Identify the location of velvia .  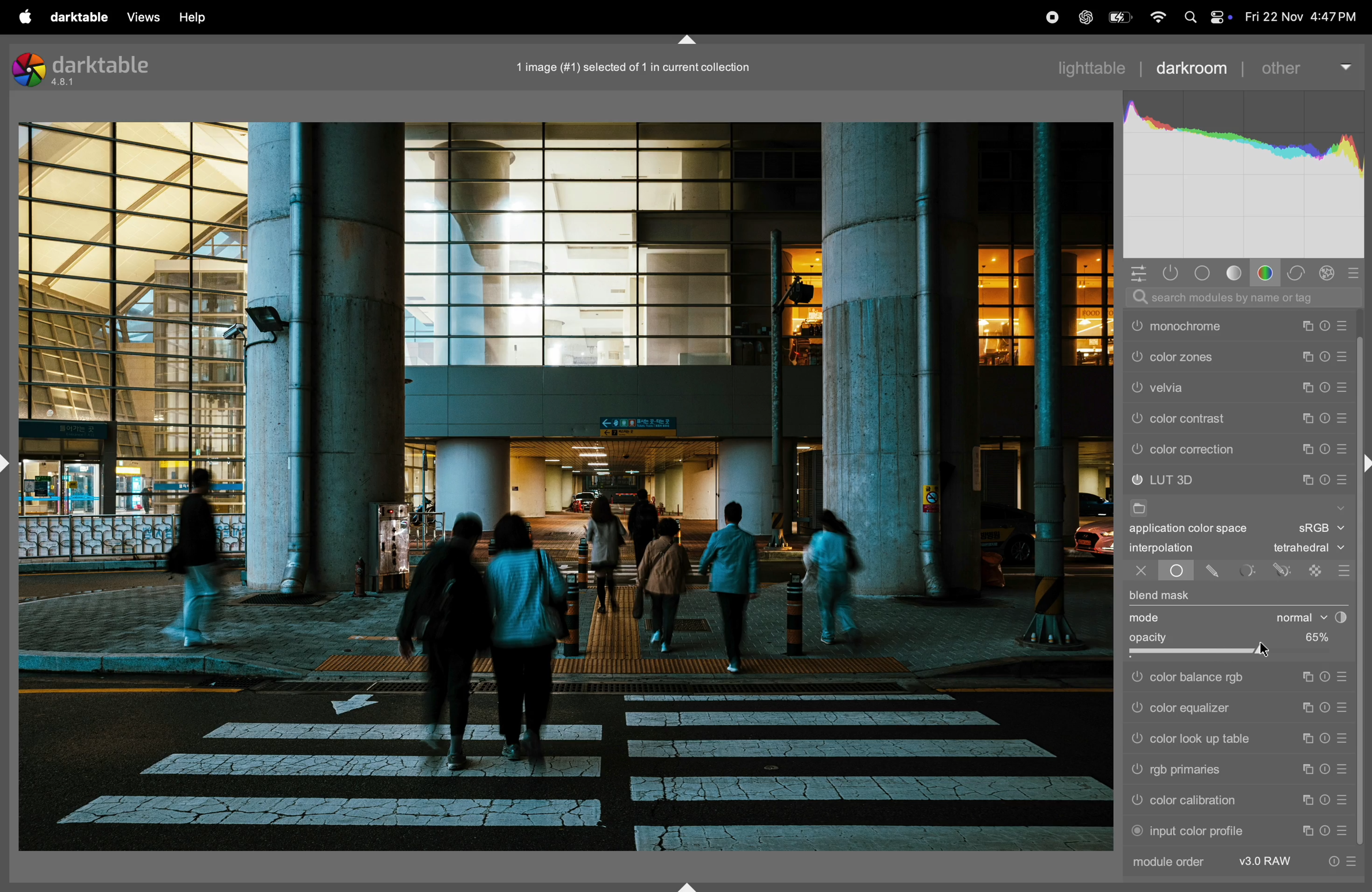
(1222, 415).